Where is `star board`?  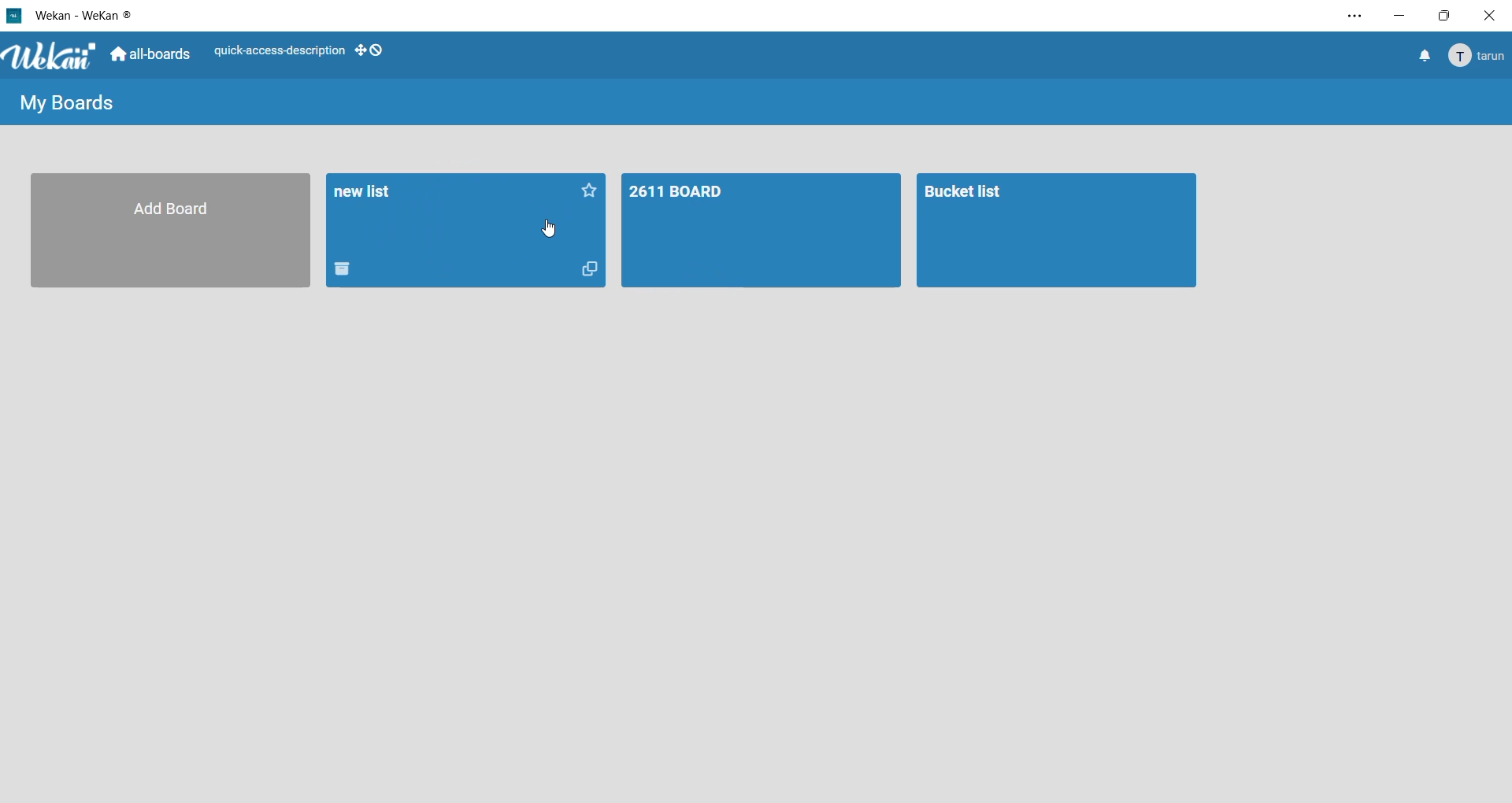
star board is located at coordinates (591, 194).